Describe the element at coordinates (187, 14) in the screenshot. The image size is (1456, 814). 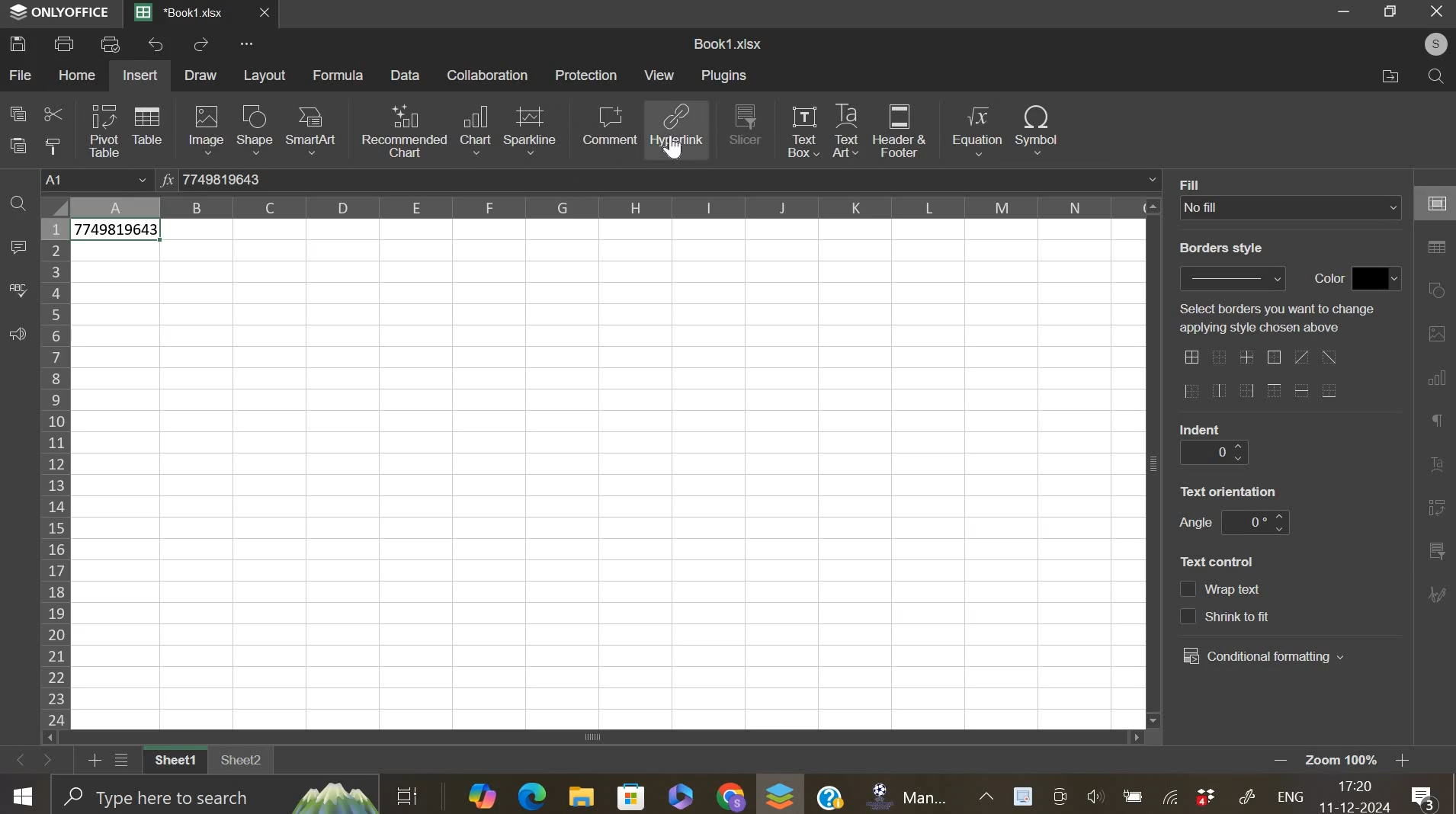
I see `current sheets` at that location.